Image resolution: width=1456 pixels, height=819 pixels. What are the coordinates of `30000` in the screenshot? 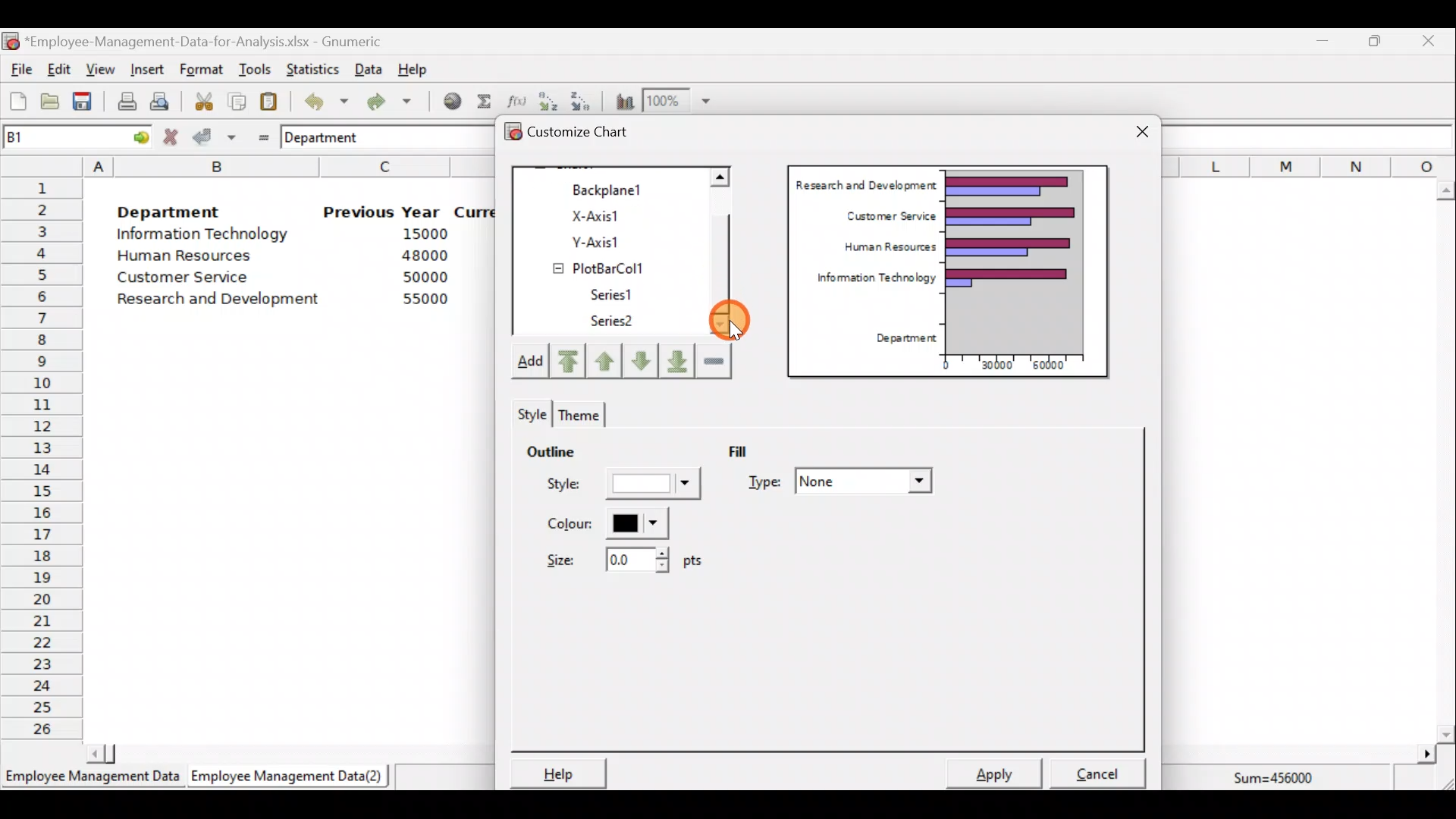 It's located at (996, 363).